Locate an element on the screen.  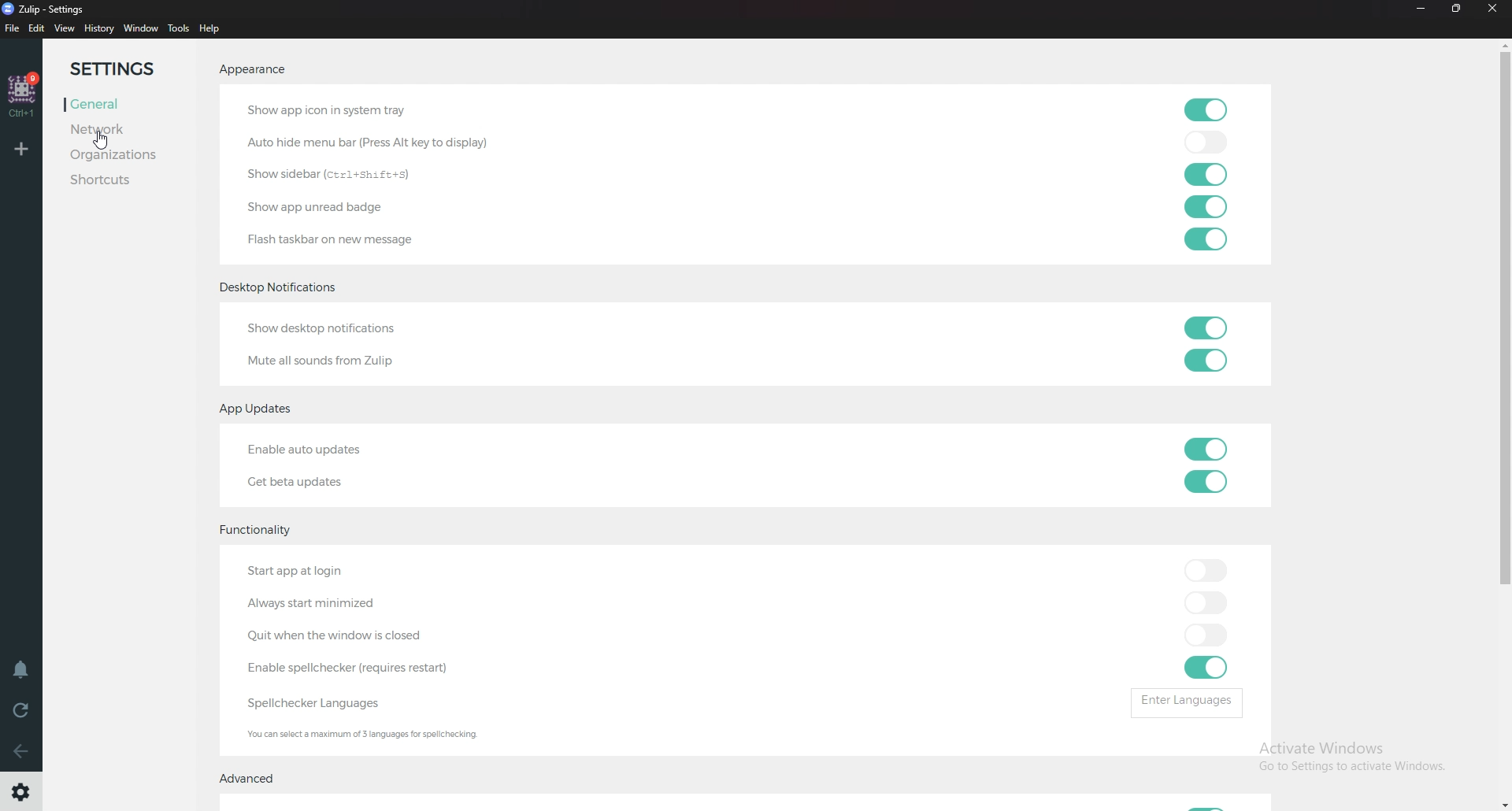
Go back is located at coordinates (22, 750).